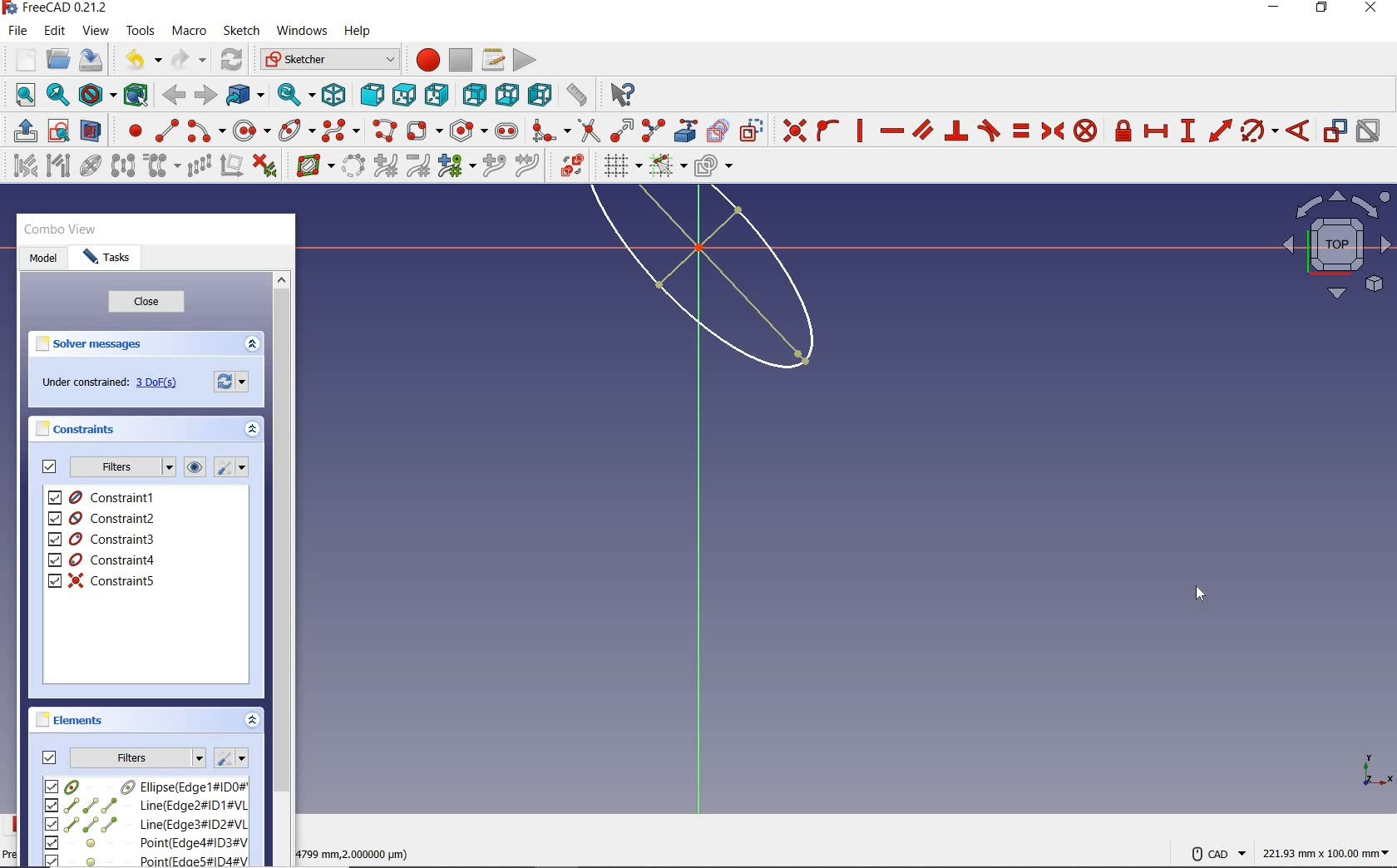 This screenshot has width=1397, height=868. Describe the element at coordinates (456, 165) in the screenshot. I see `modify knot multiplicity` at that location.